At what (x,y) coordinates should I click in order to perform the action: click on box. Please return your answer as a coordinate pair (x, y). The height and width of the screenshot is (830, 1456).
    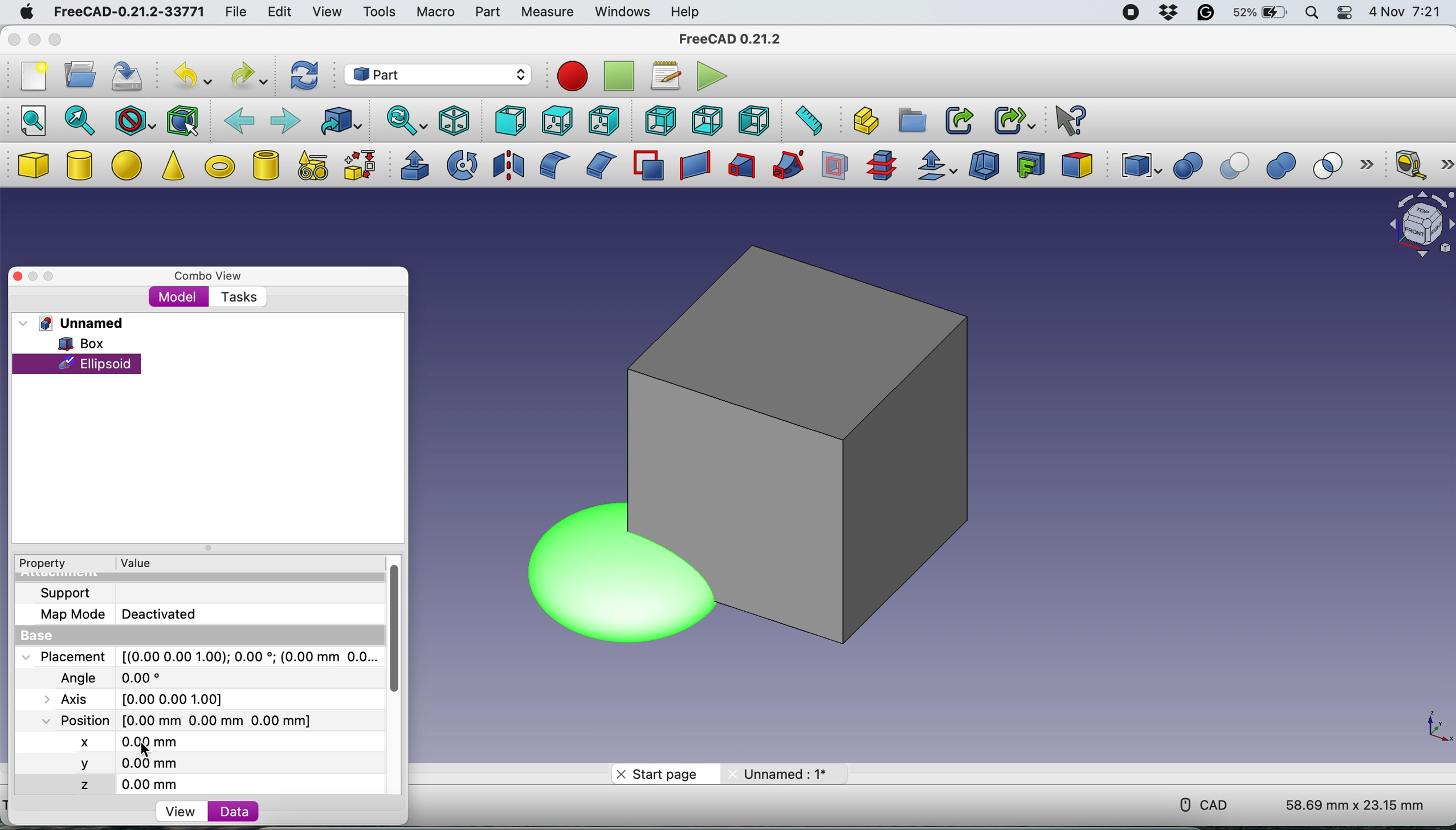
    Looking at the image, I should click on (32, 166).